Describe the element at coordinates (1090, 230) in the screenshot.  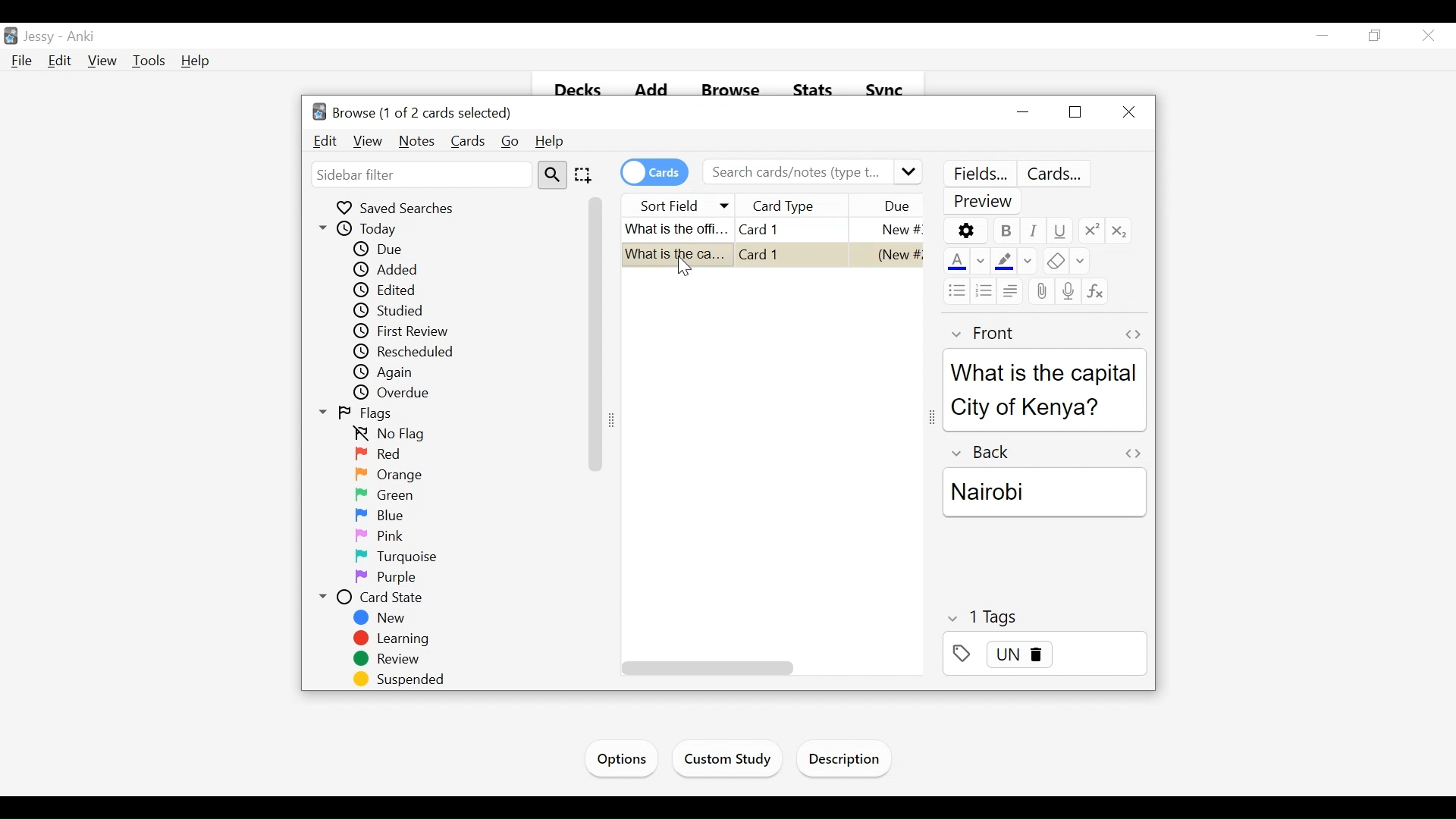
I see `superscipt` at that location.